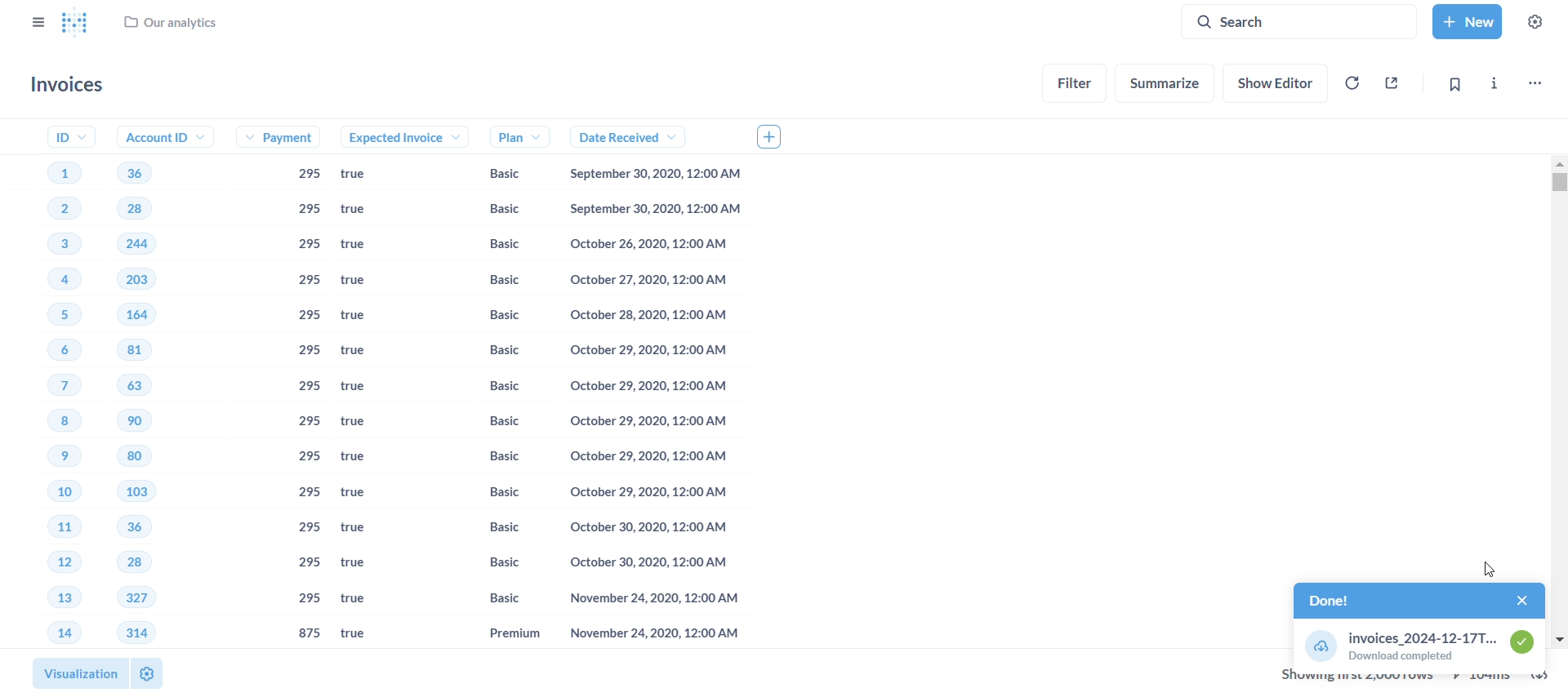  Describe the element at coordinates (1317, 645) in the screenshot. I see `download icon` at that location.